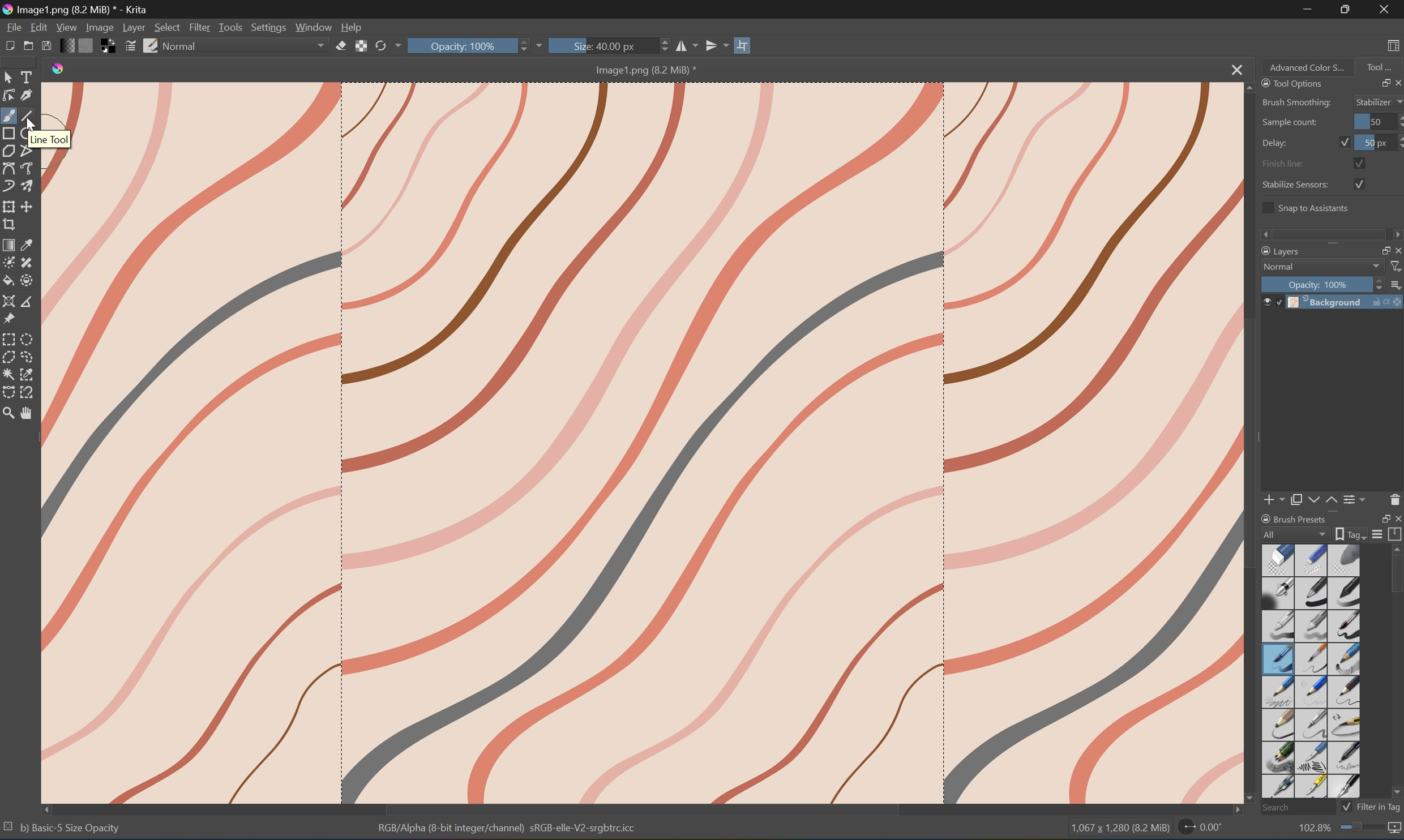 The image size is (1404, 840). What do you see at coordinates (1396, 518) in the screenshot?
I see `Close` at bounding box center [1396, 518].